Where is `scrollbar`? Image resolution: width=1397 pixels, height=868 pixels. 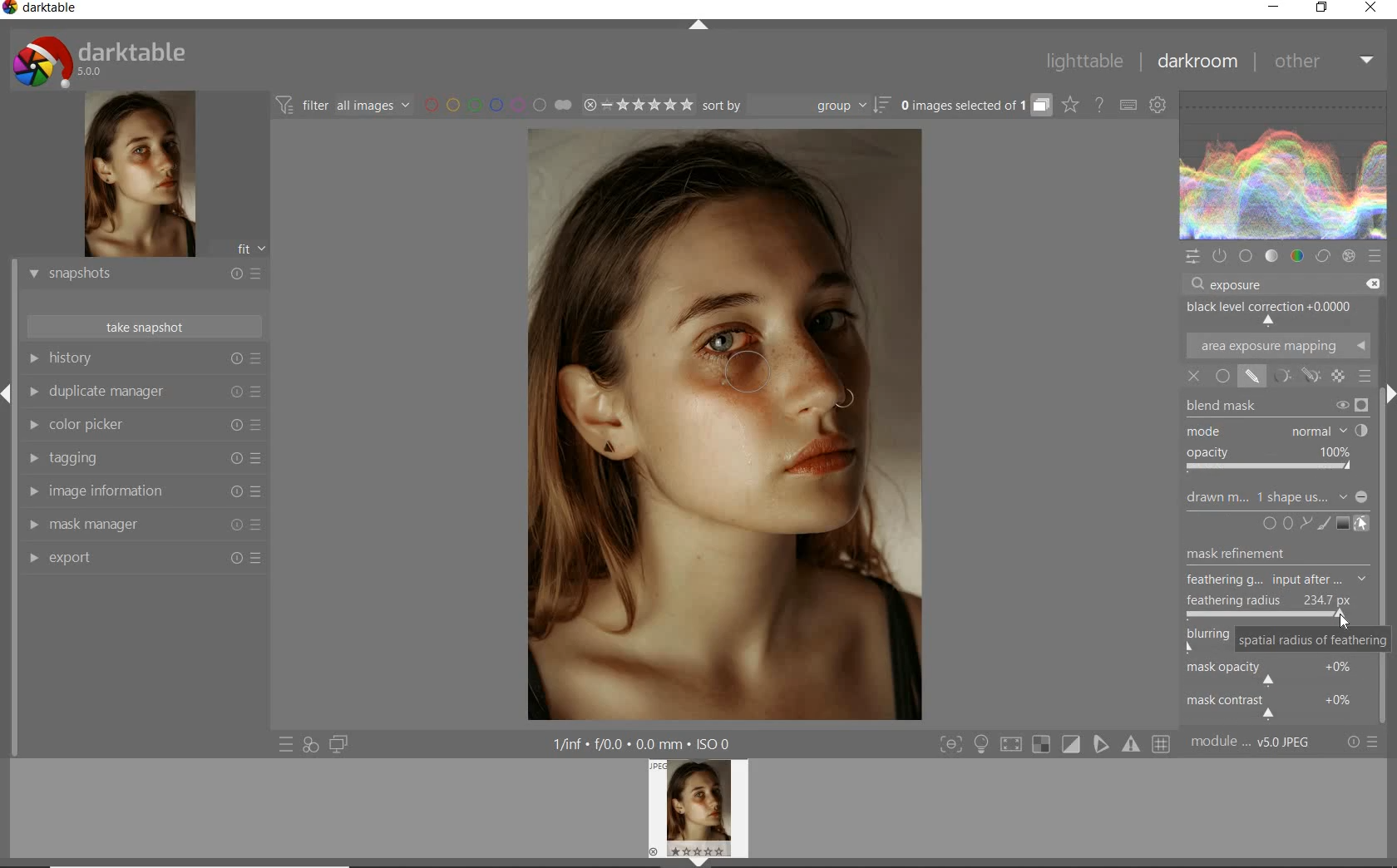
scrollbar is located at coordinates (1382, 452).